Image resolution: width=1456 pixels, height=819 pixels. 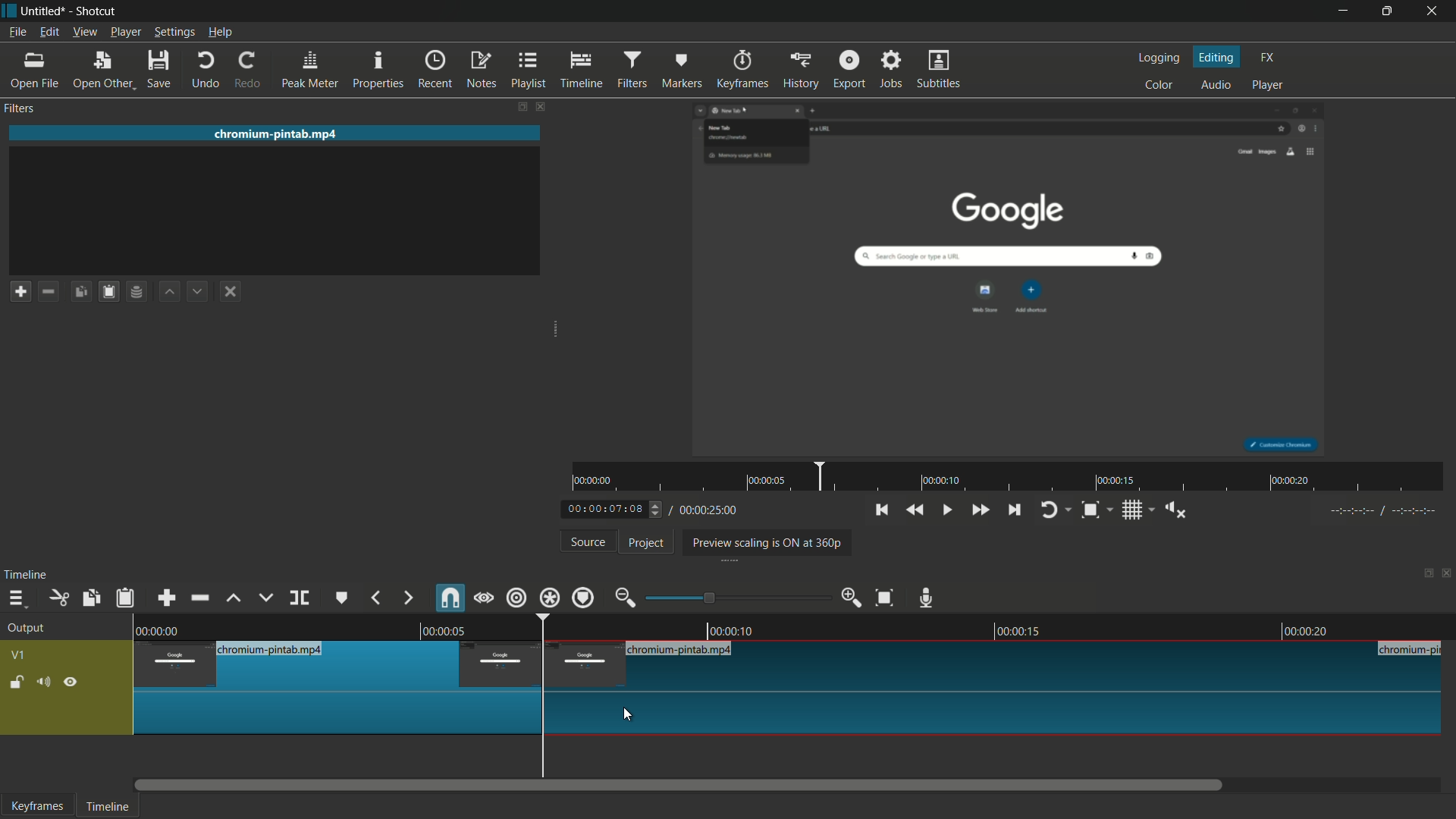 I want to click on , so click(x=1267, y=55).